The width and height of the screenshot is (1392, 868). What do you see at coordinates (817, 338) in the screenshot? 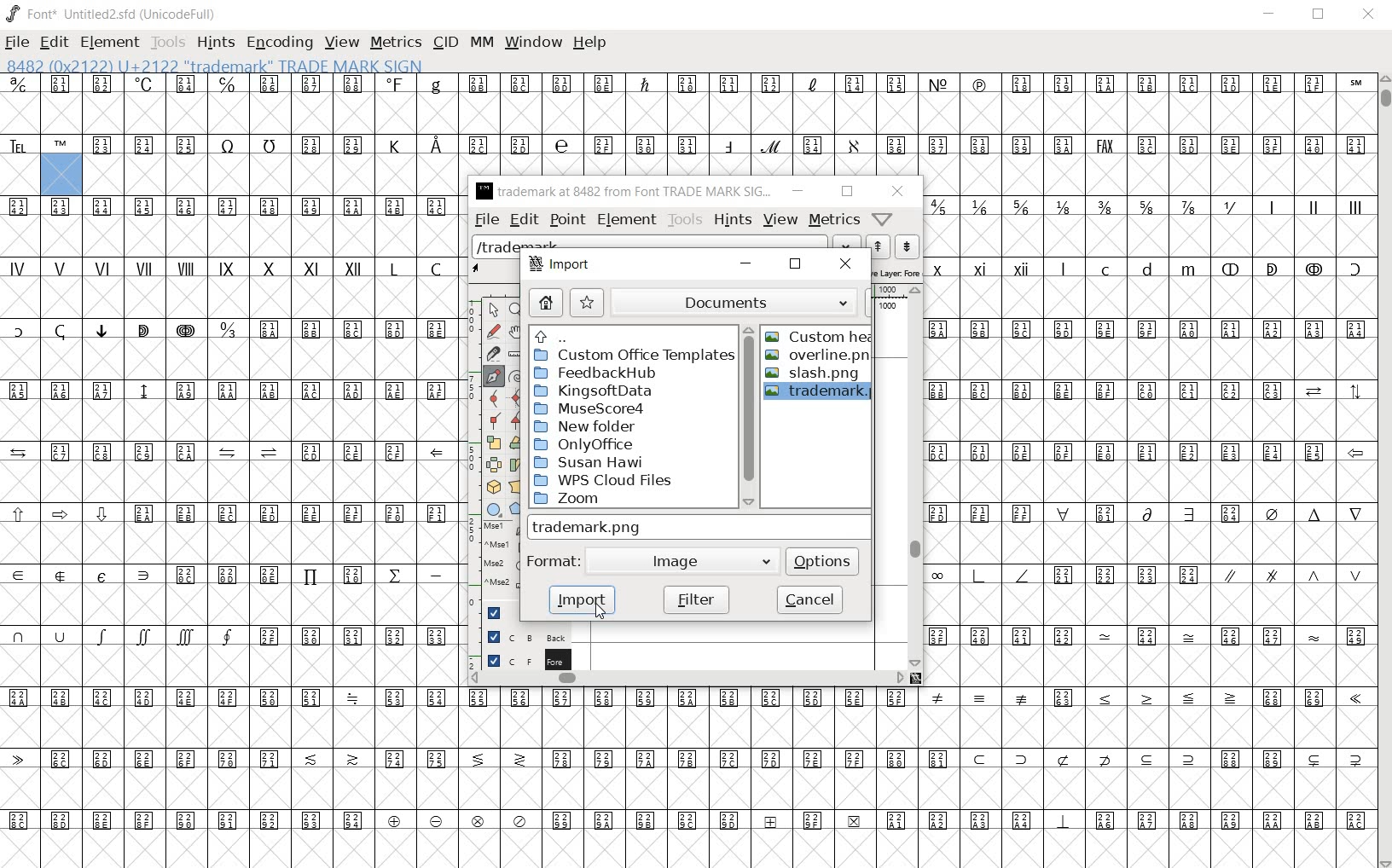
I see `custom heart` at bounding box center [817, 338].